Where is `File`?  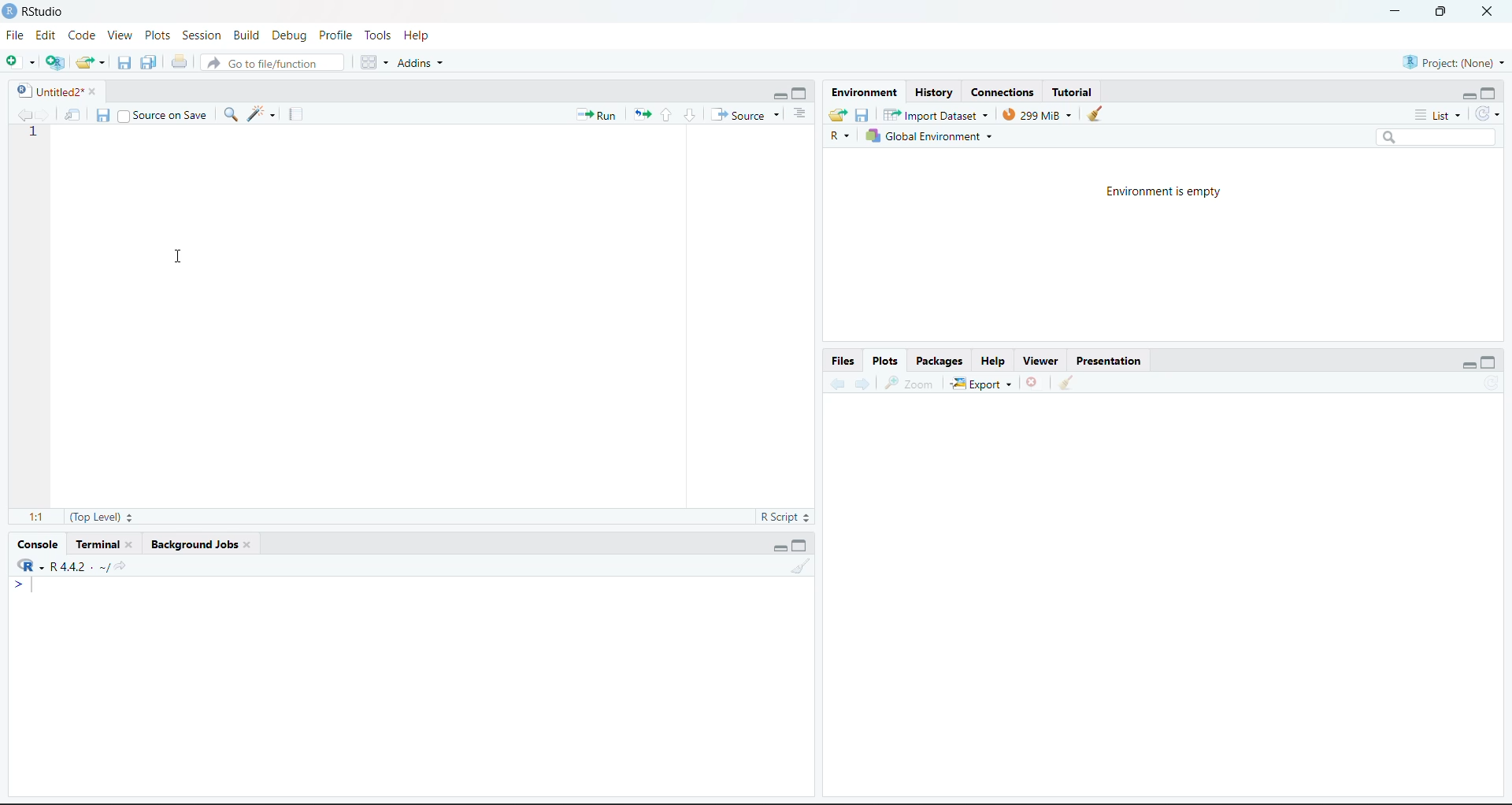
File is located at coordinates (17, 35).